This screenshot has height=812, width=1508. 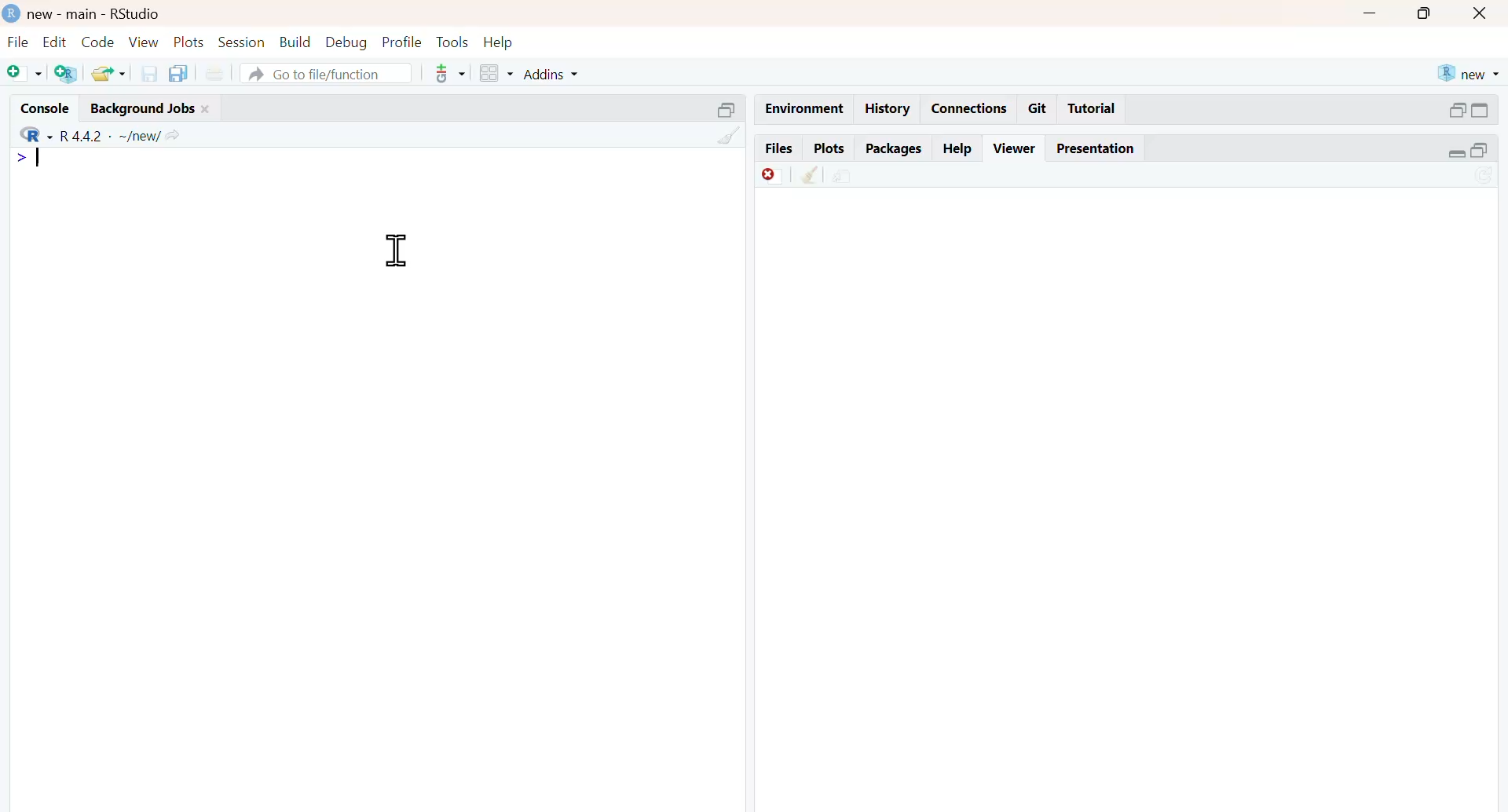 What do you see at coordinates (729, 135) in the screenshot?
I see `` at bounding box center [729, 135].